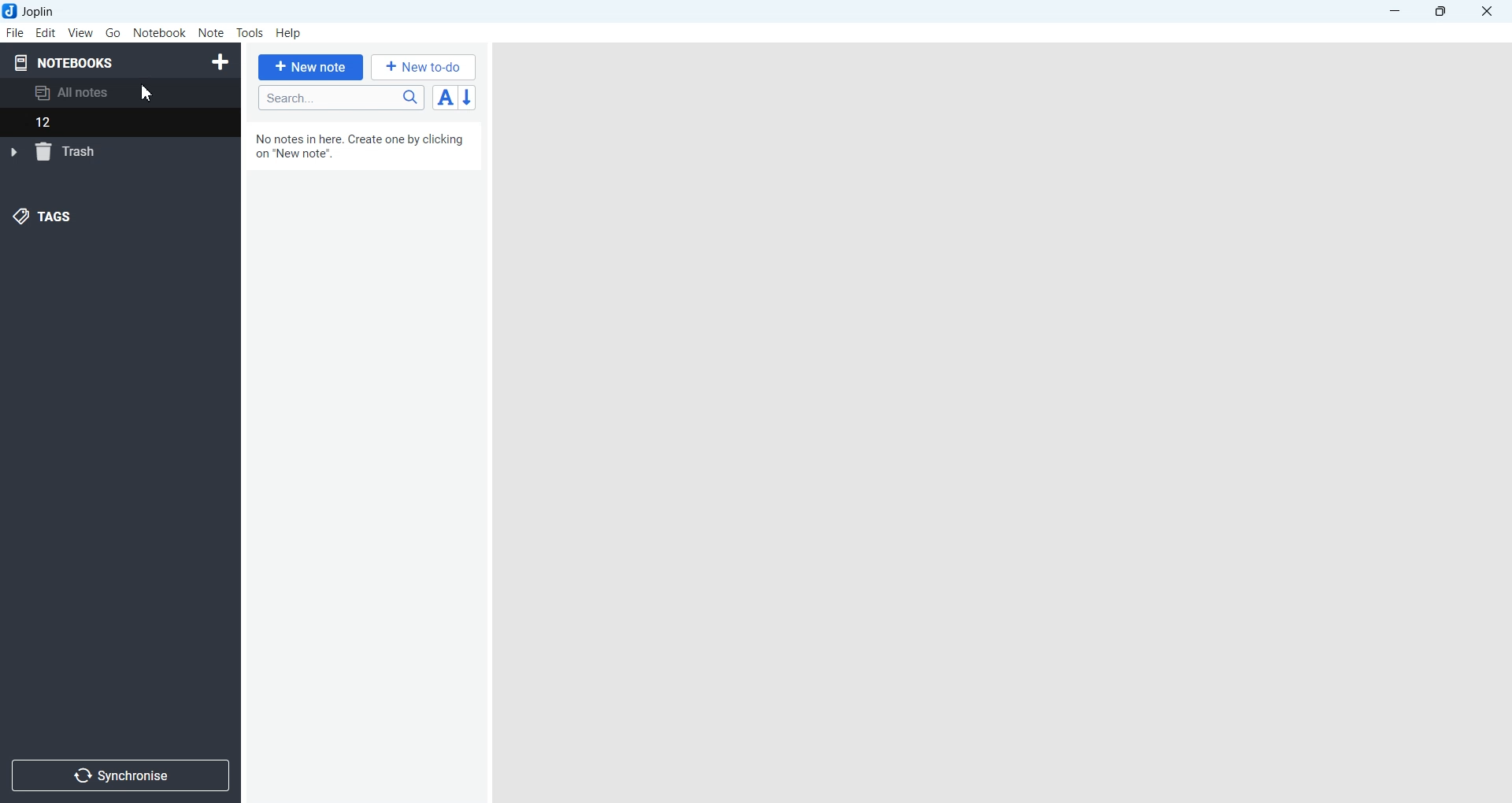 This screenshot has width=1512, height=803. Describe the element at coordinates (311, 67) in the screenshot. I see `+ New note` at that location.